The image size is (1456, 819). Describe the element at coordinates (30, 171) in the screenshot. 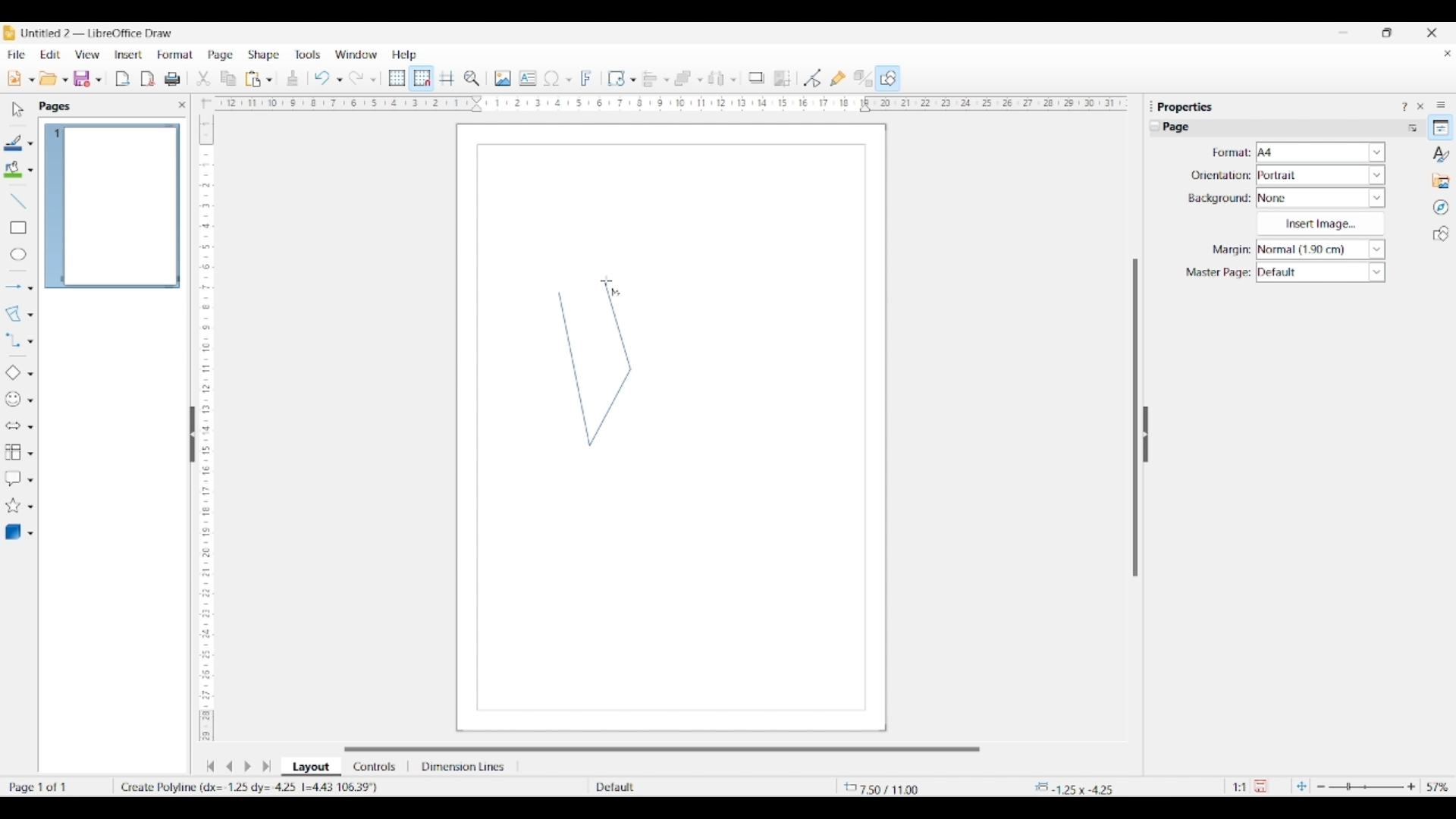

I see `Fill color options` at that location.